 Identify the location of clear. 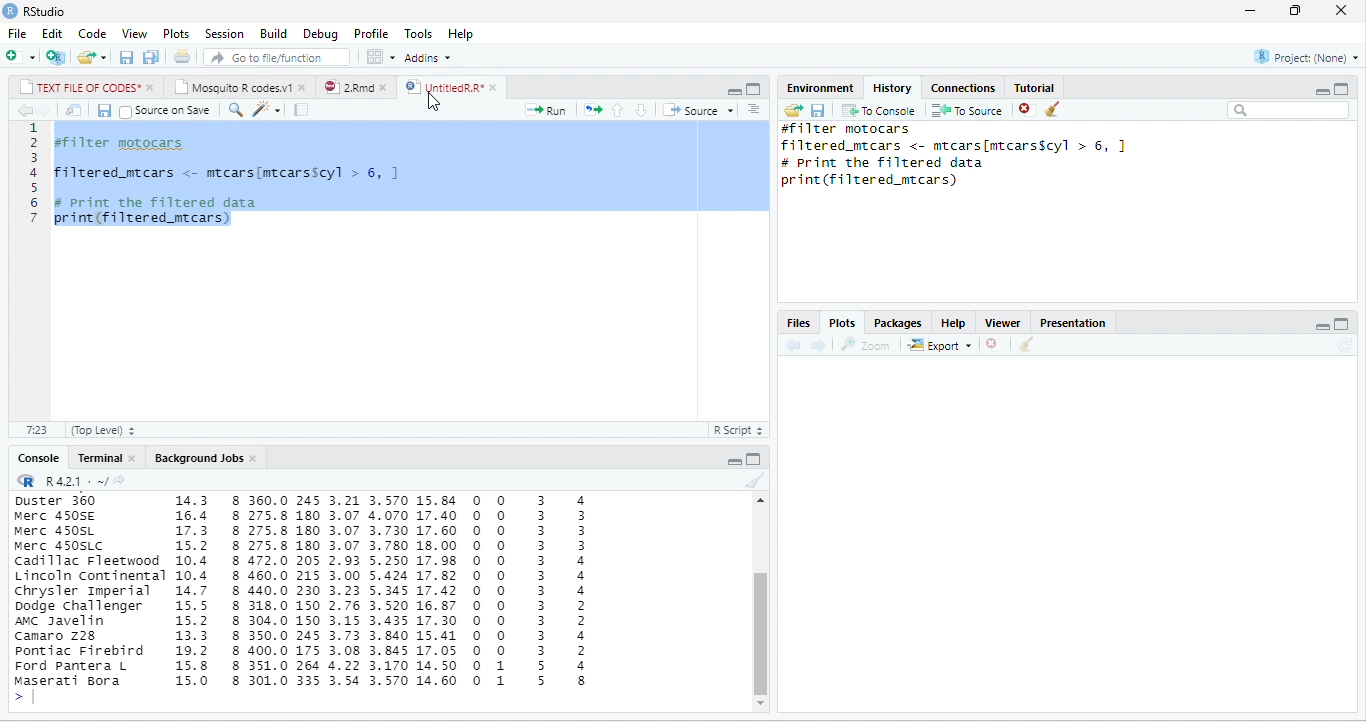
(756, 480).